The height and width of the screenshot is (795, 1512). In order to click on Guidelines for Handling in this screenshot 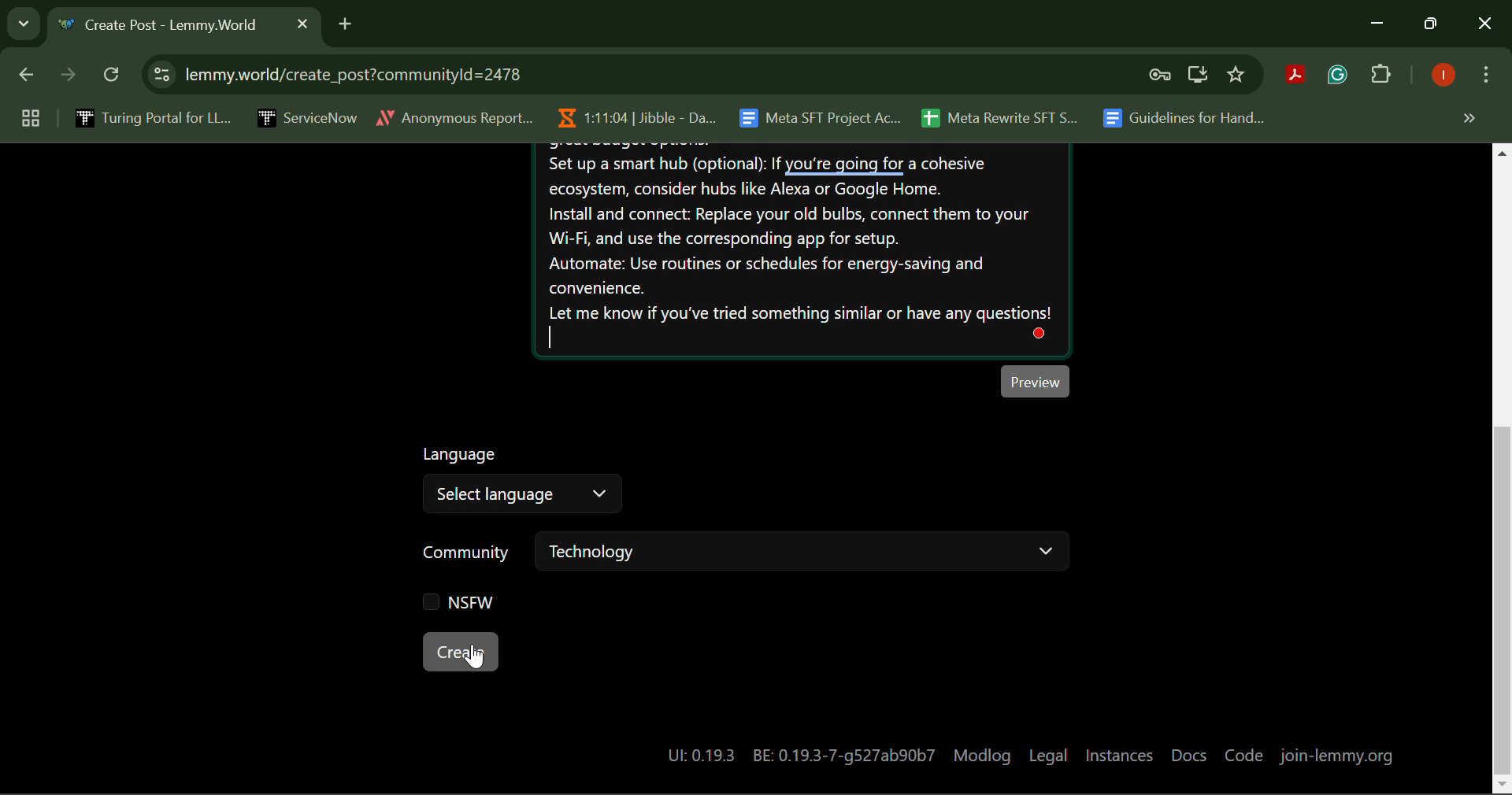, I will do `click(1186, 118)`.